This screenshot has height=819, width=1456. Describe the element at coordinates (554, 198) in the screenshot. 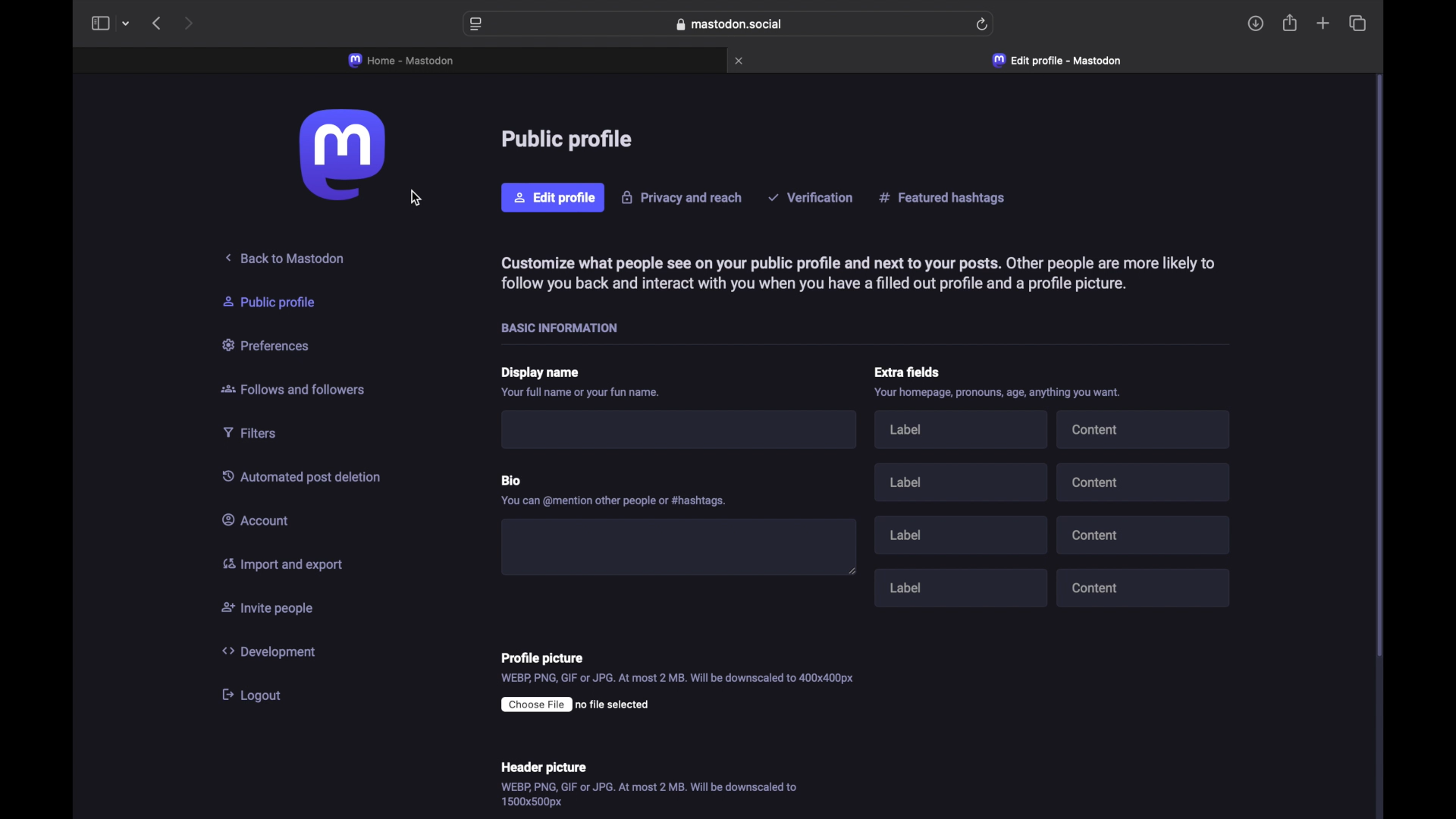

I see `edit profile` at that location.